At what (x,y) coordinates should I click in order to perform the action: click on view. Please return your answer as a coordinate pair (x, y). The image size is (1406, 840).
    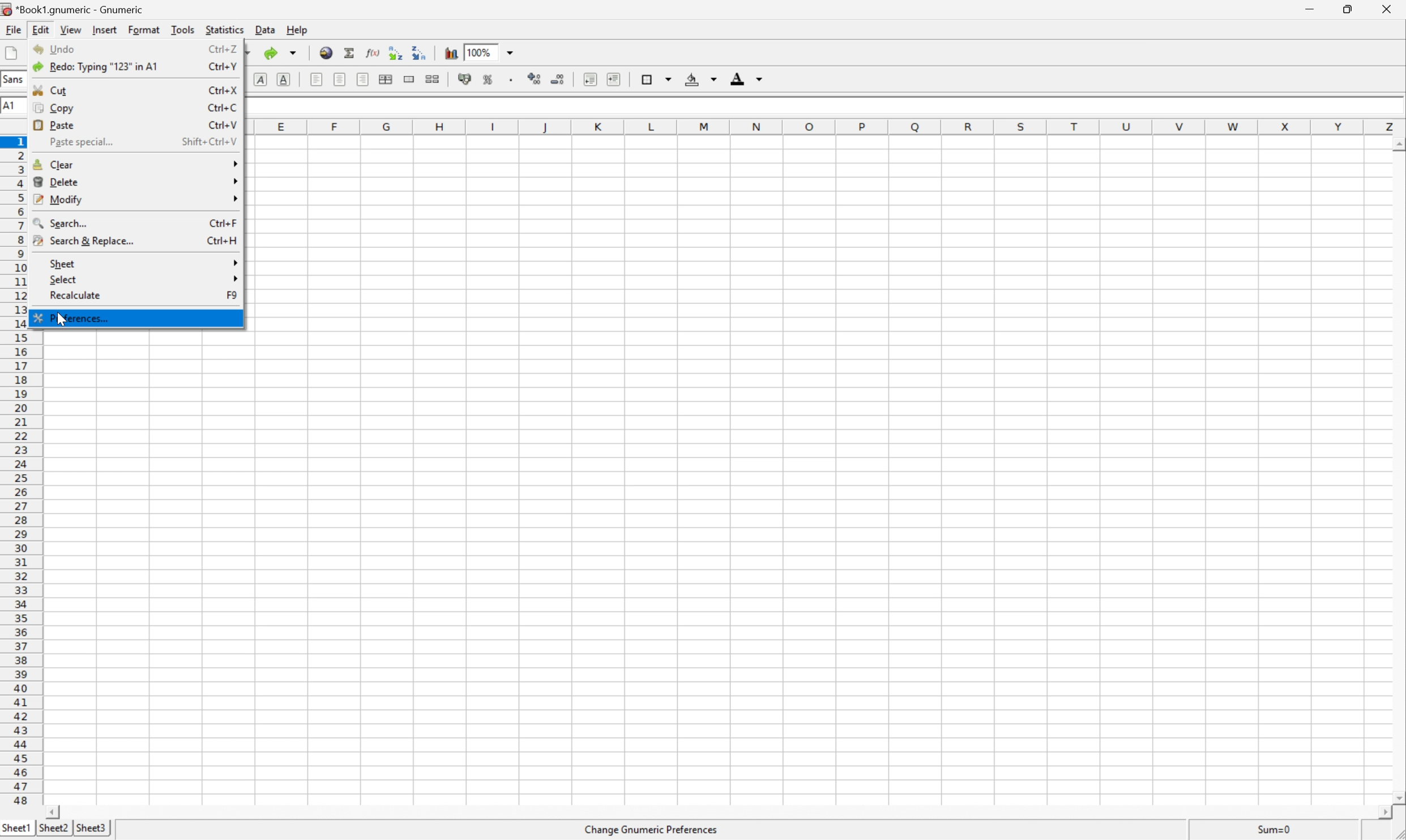
    Looking at the image, I should click on (69, 29).